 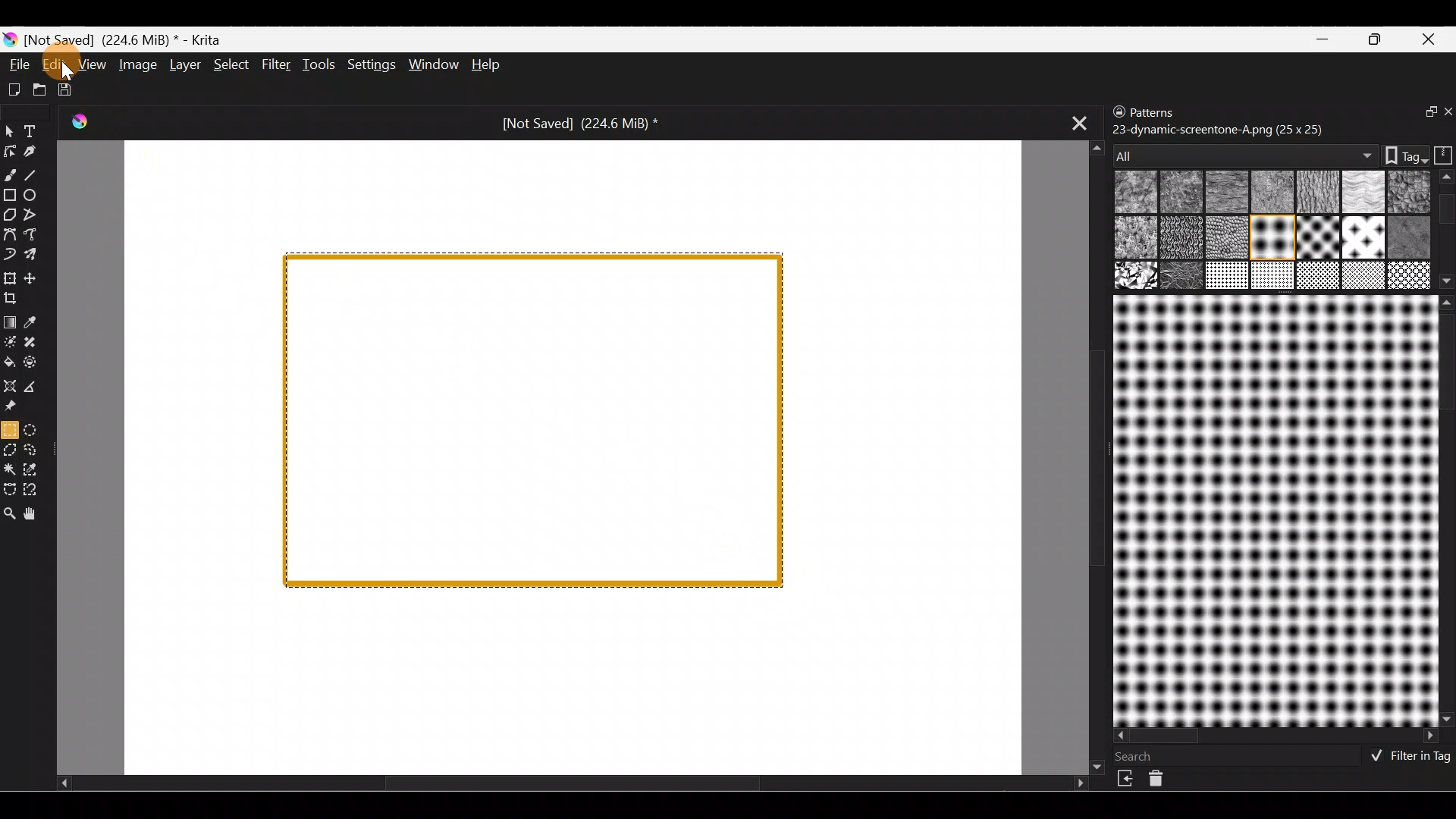 I want to click on Ellipse tool, so click(x=37, y=195).